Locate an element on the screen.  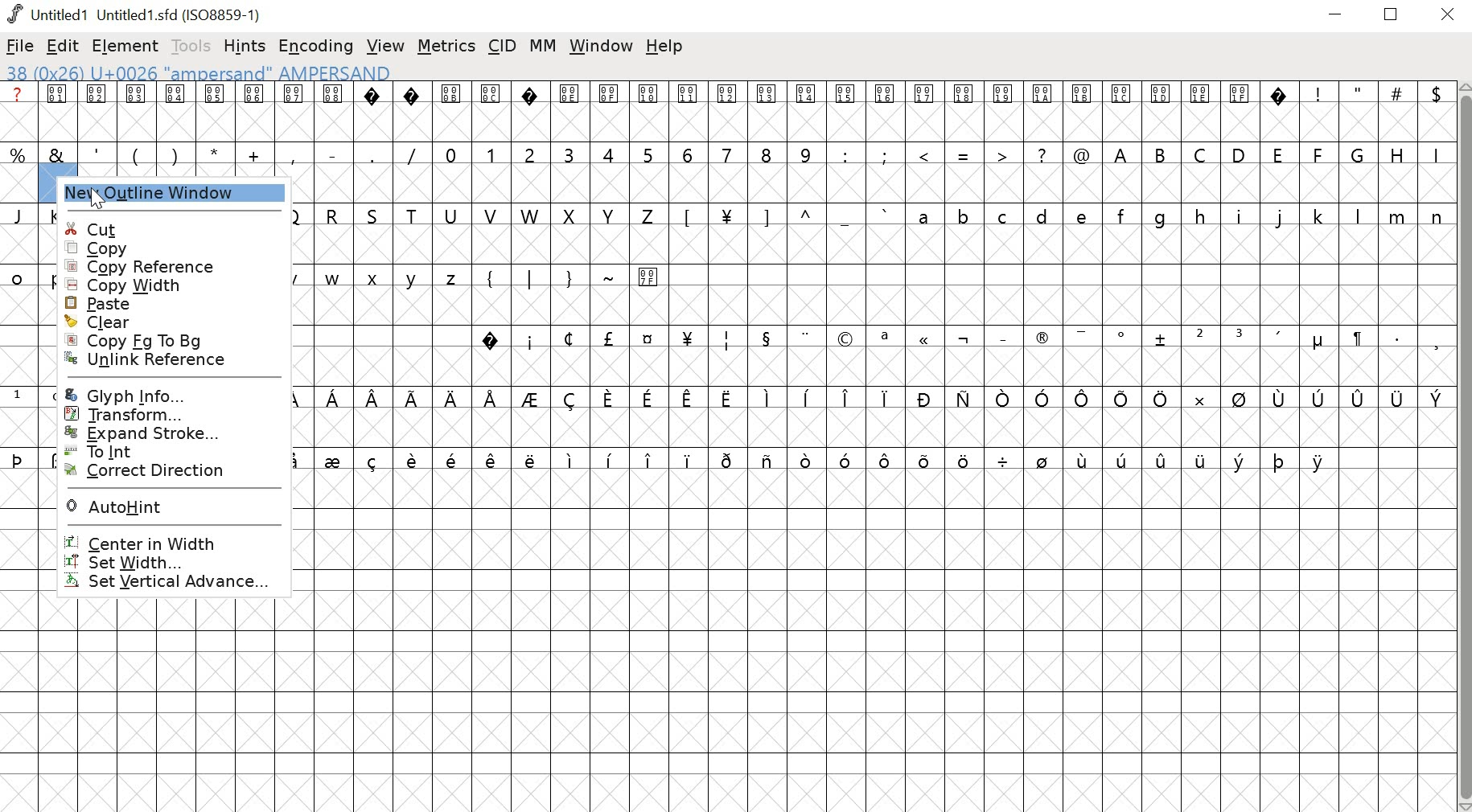
0018 is located at coordinates (965, 112).